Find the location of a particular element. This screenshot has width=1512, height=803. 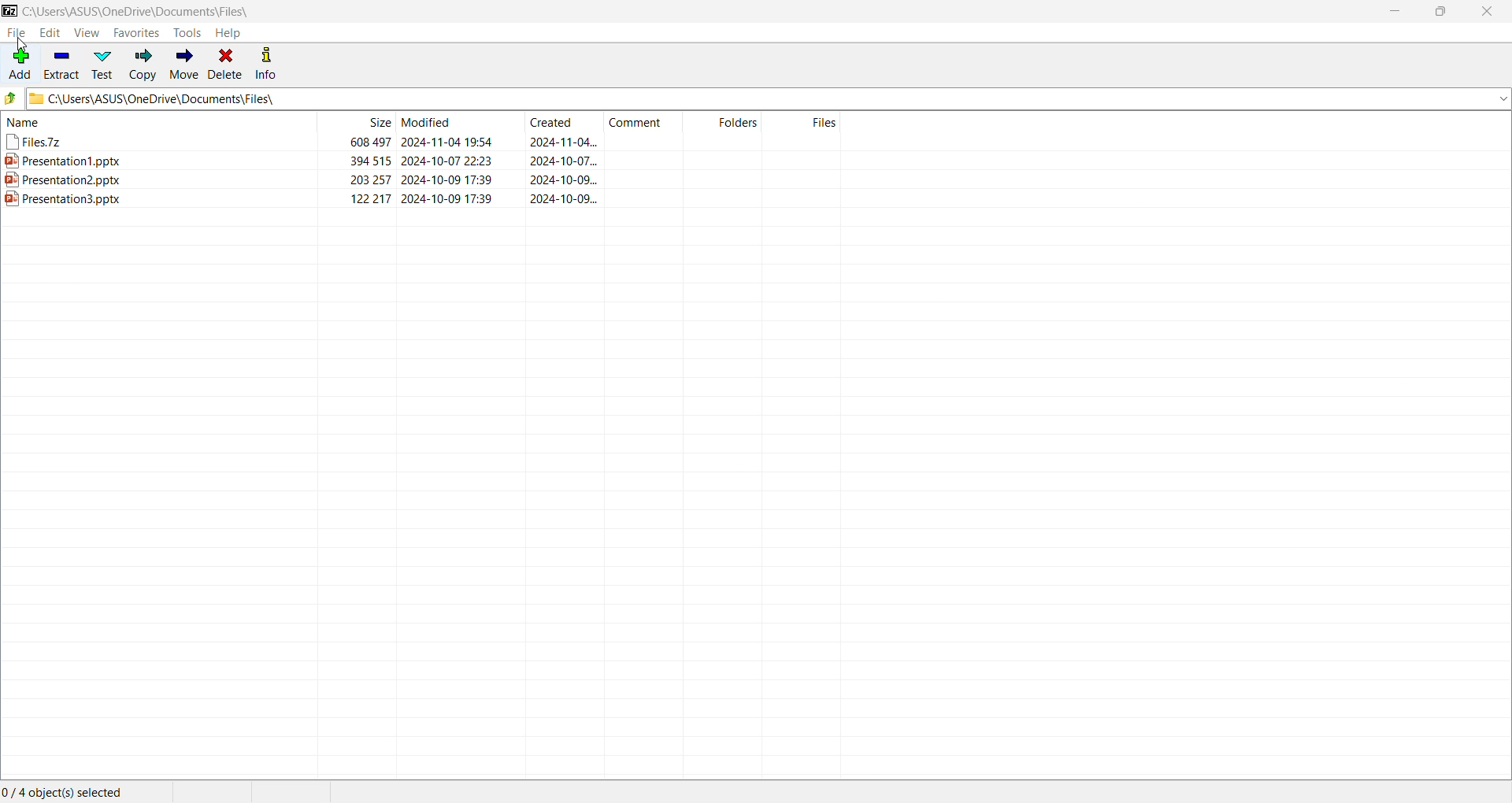

203 257 is located at coordinates (363, 179).